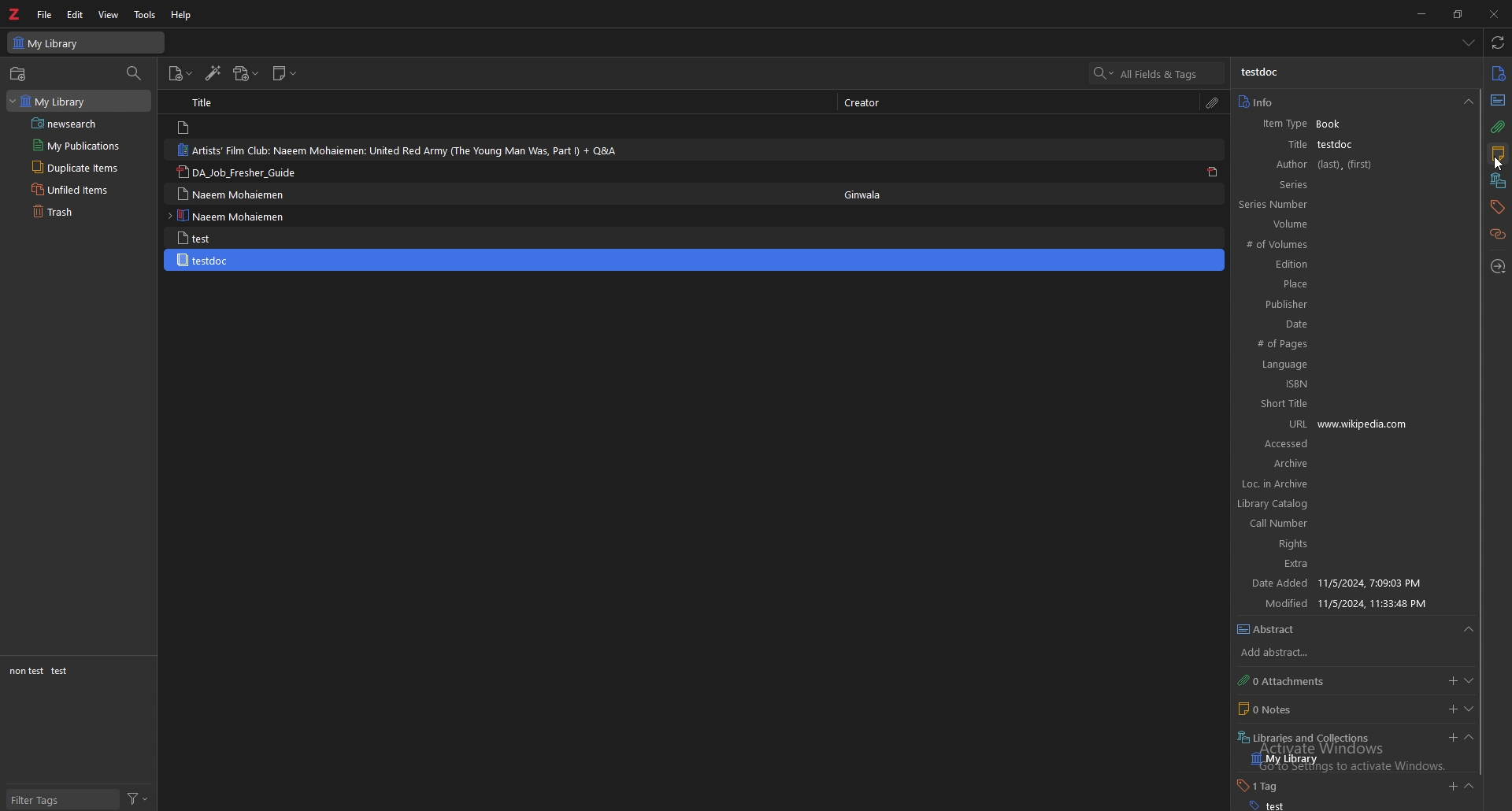 The height and width of the screenshot is (811, 1512). Describe the element at coordinates (1467, 630) in the screenshot. I see `collapse` at that location.